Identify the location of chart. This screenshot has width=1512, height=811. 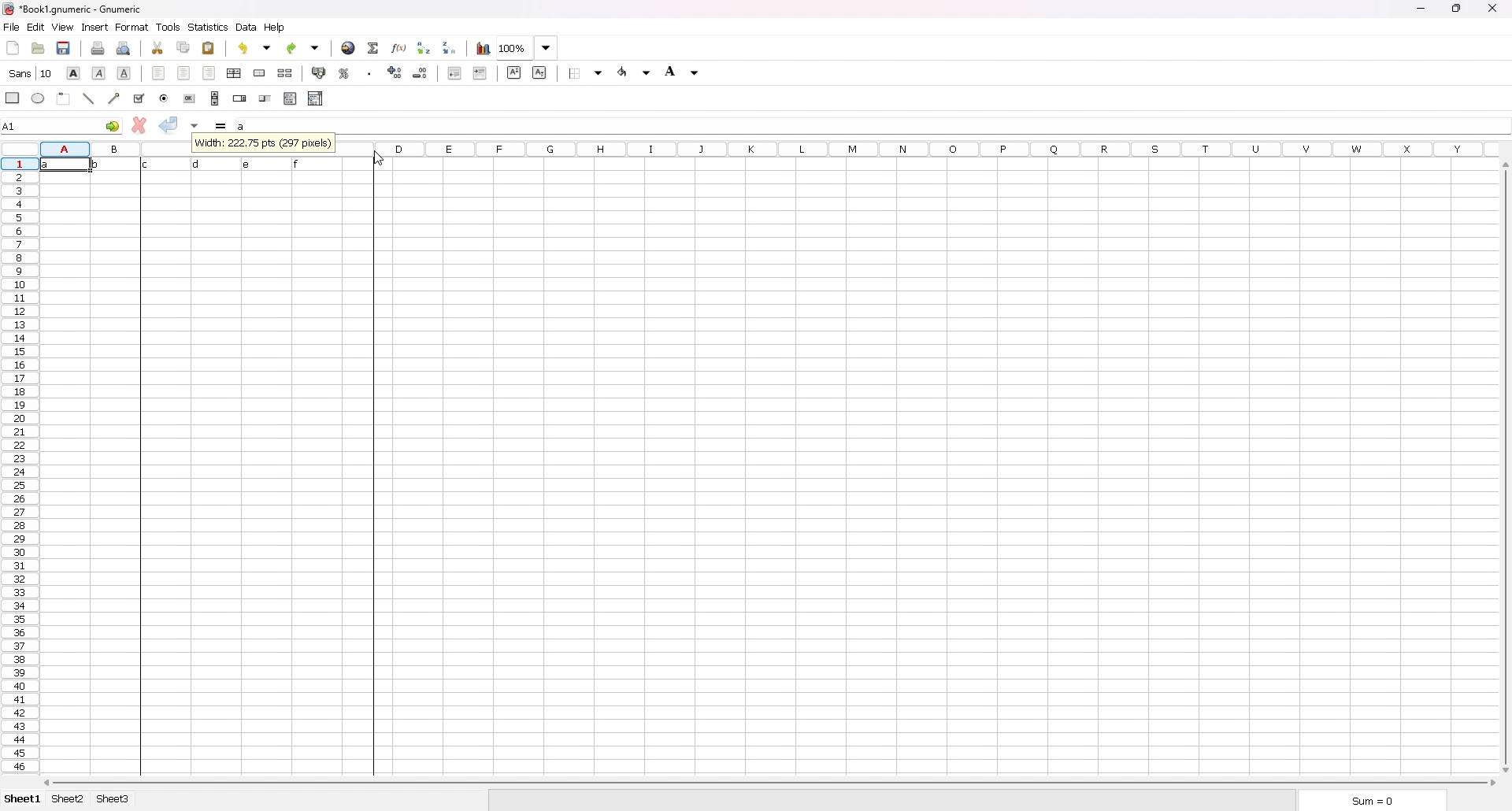
(482, 48).